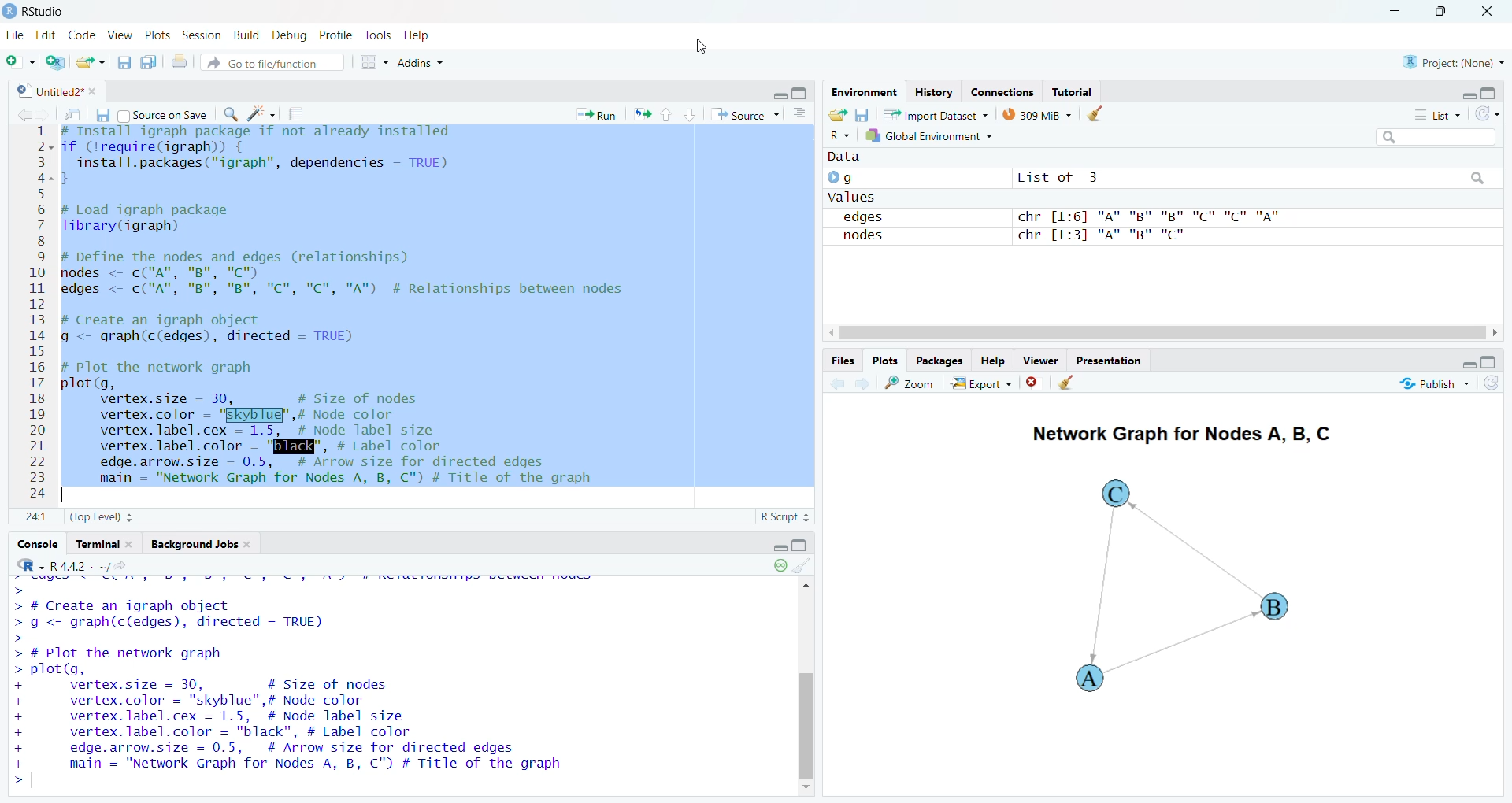 This screenshot has width=1512, height=803. Describe the element at coordinates (1004, 91) in the screenshot. I see `Connections` at that location.